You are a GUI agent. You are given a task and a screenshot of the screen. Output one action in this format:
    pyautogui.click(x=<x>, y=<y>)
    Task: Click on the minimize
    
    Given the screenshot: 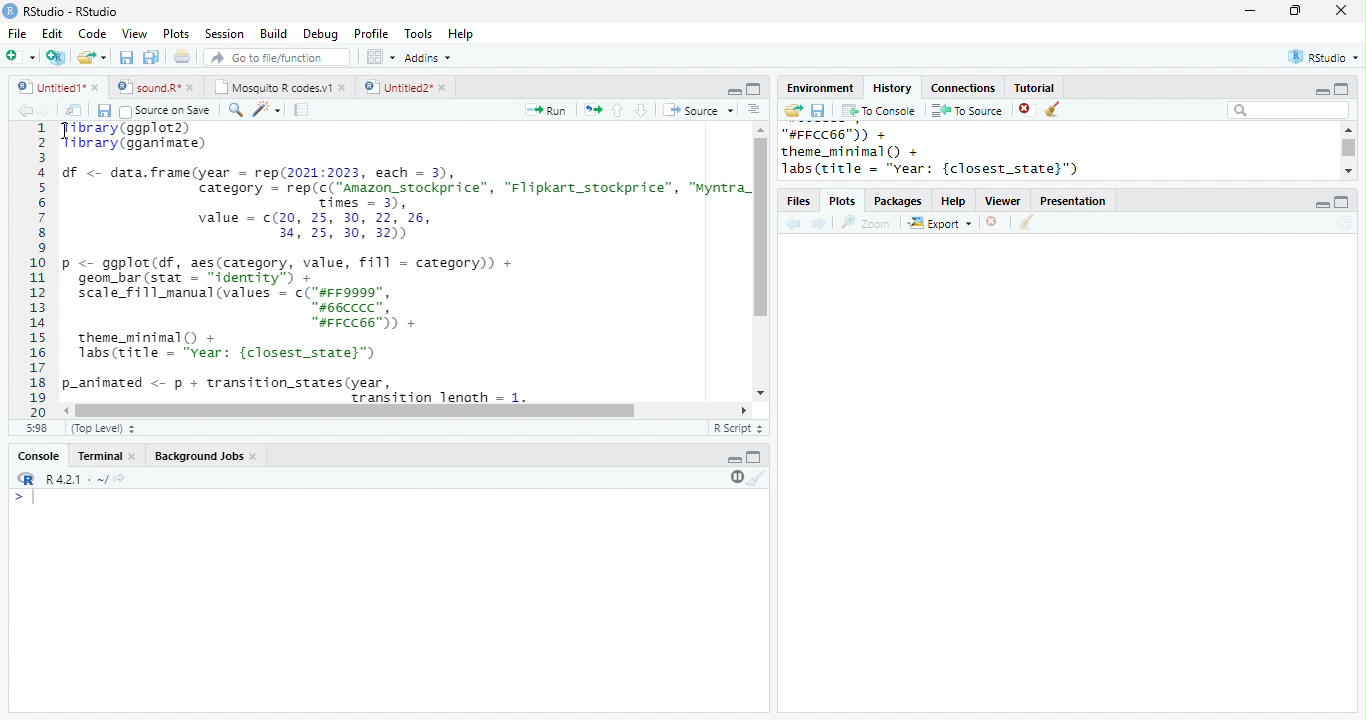 What is the action you would take?
    pyautogui.click(x=1322, y=205)
    